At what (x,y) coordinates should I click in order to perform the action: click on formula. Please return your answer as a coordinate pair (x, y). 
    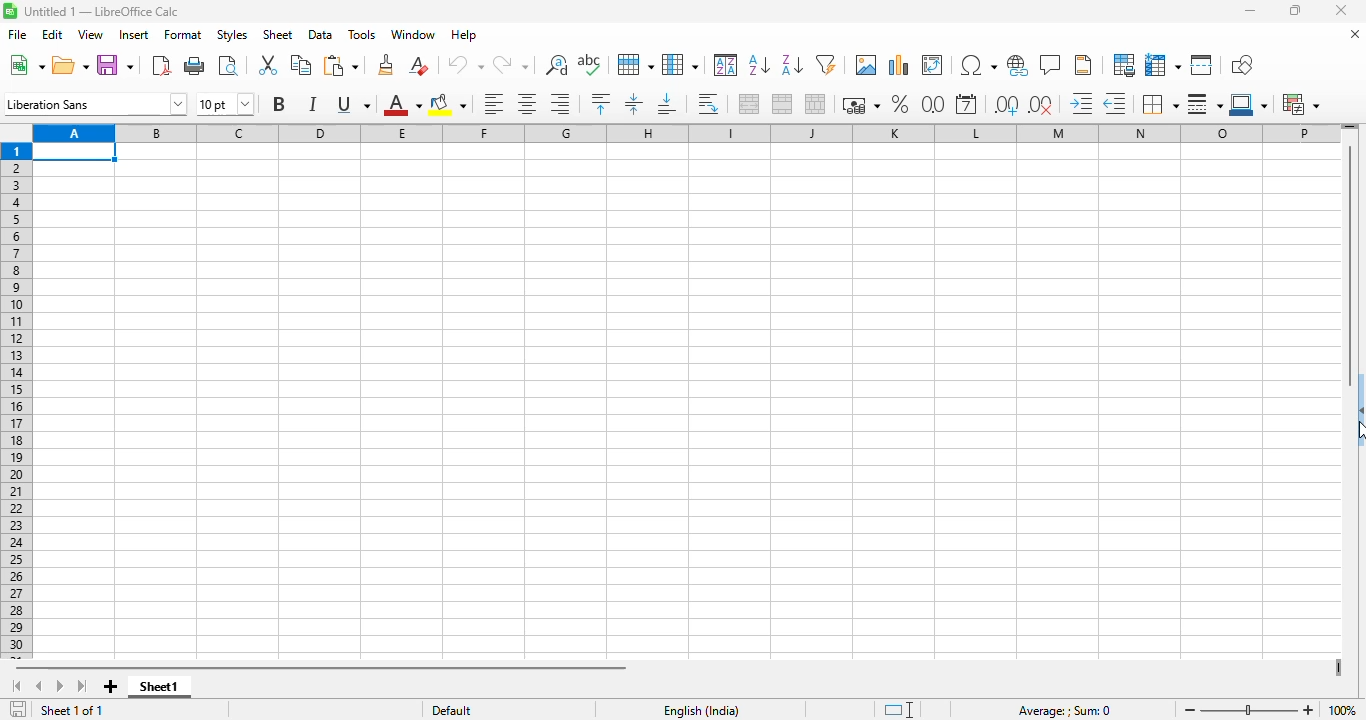
    Looking at the image, I should click on (1065, 711).